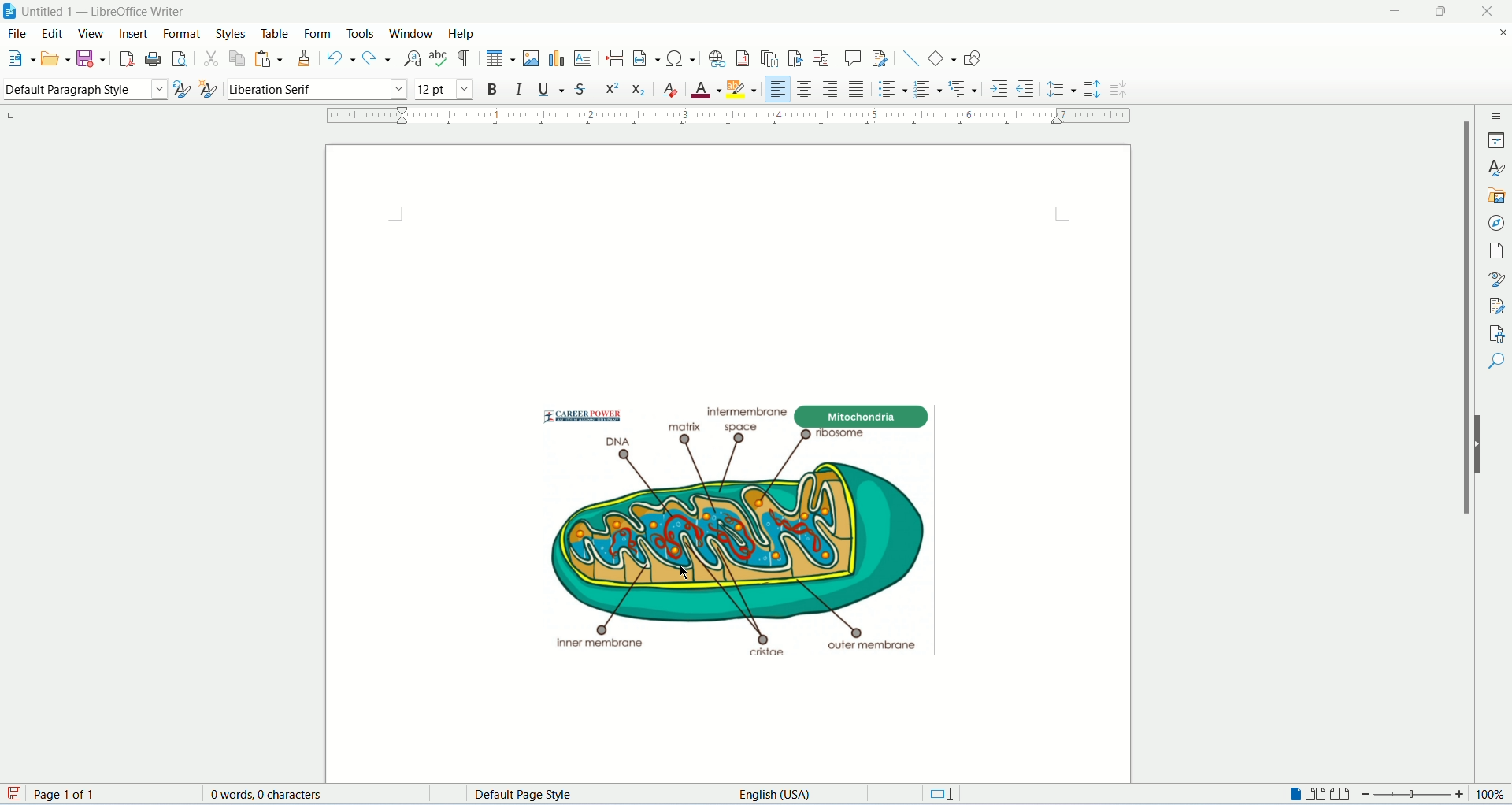 The height and width of the screenshot is (805, 1512). What do you see at coordinates (853, 58) in the screenshot?
I see `insert comment` at bounding box center [853, 58].